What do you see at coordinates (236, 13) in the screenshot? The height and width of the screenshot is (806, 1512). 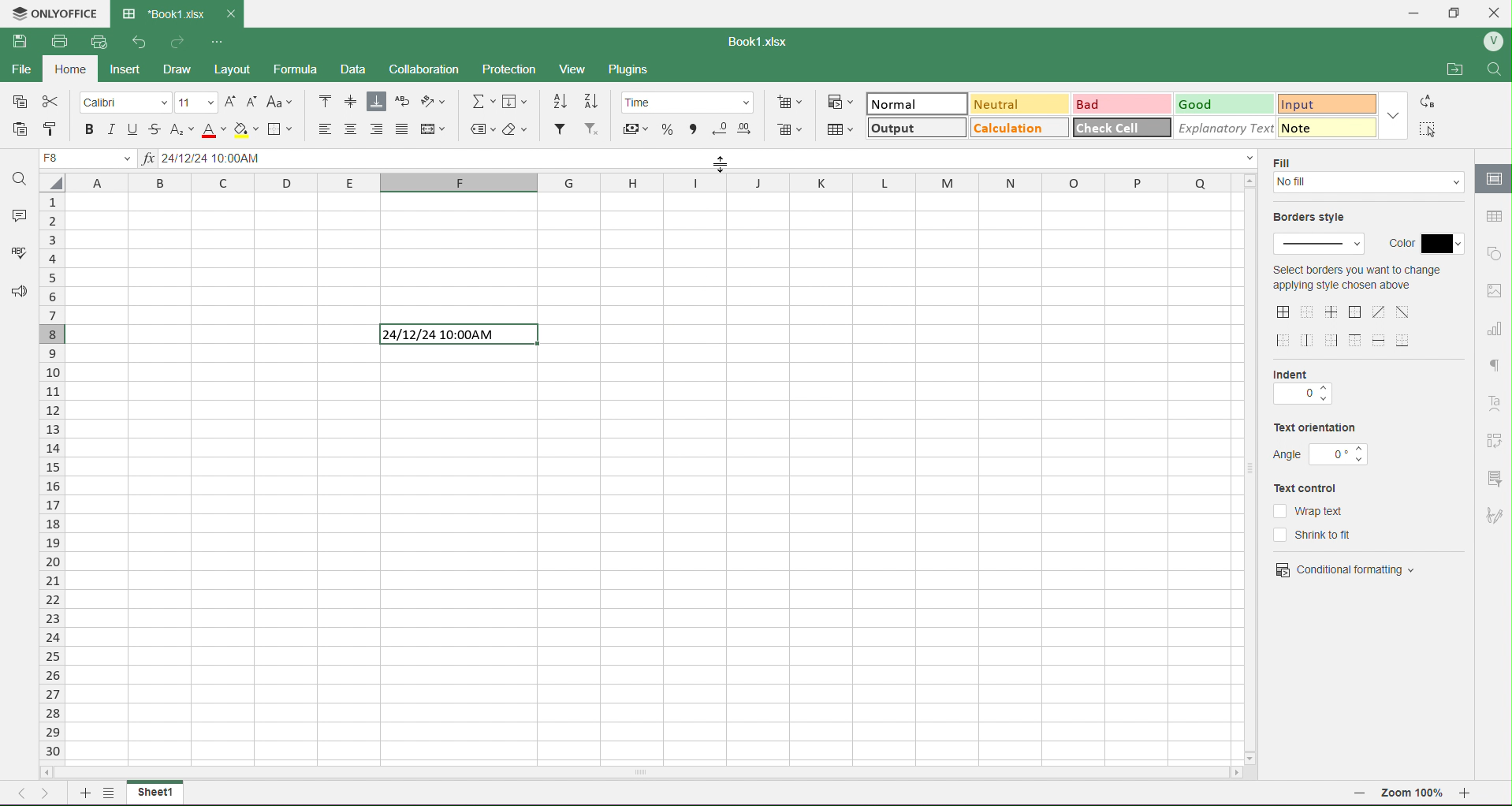 I see `close tab` at bounding box center [236, 13].